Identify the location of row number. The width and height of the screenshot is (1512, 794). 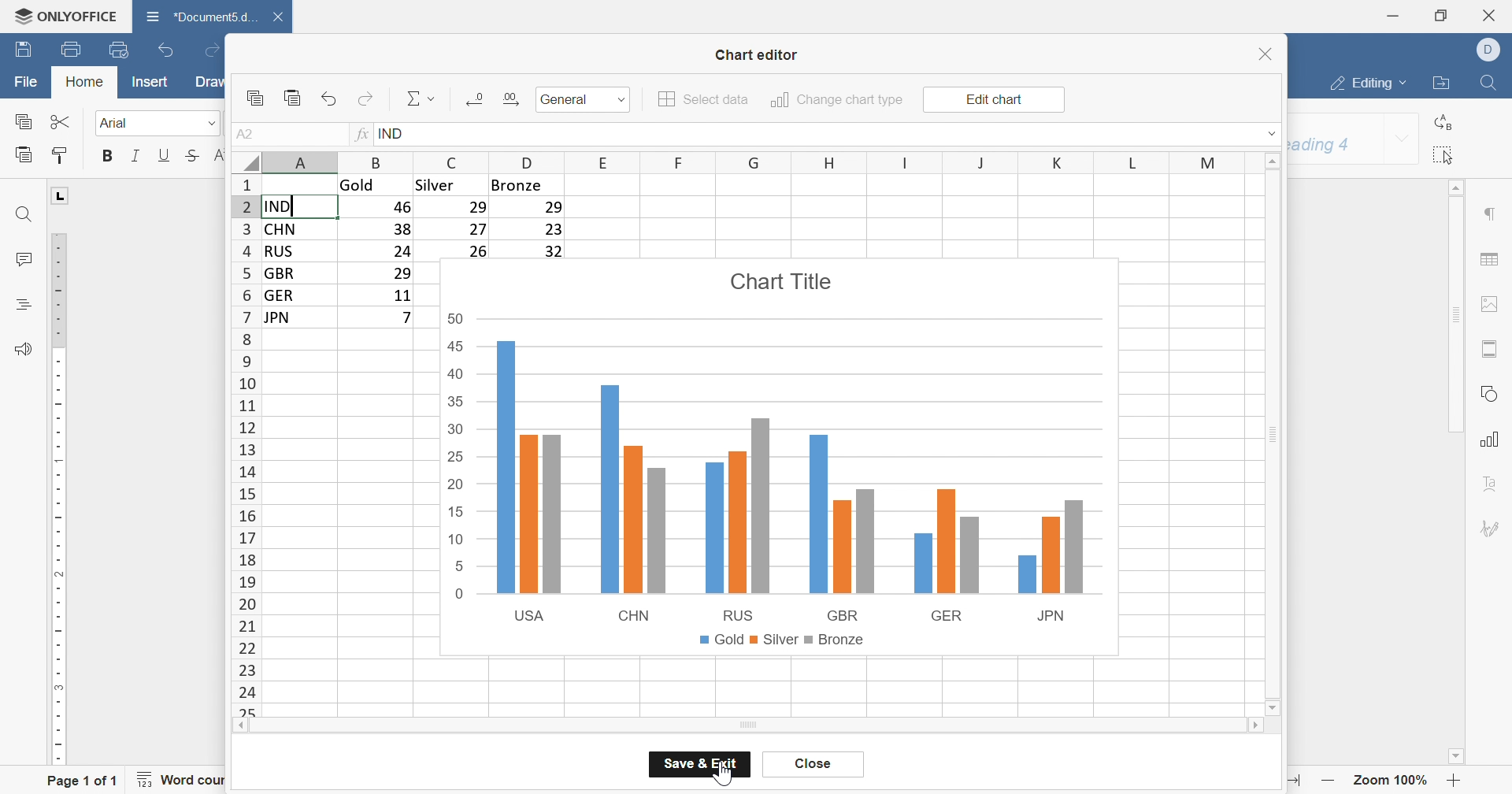
(245, 445).